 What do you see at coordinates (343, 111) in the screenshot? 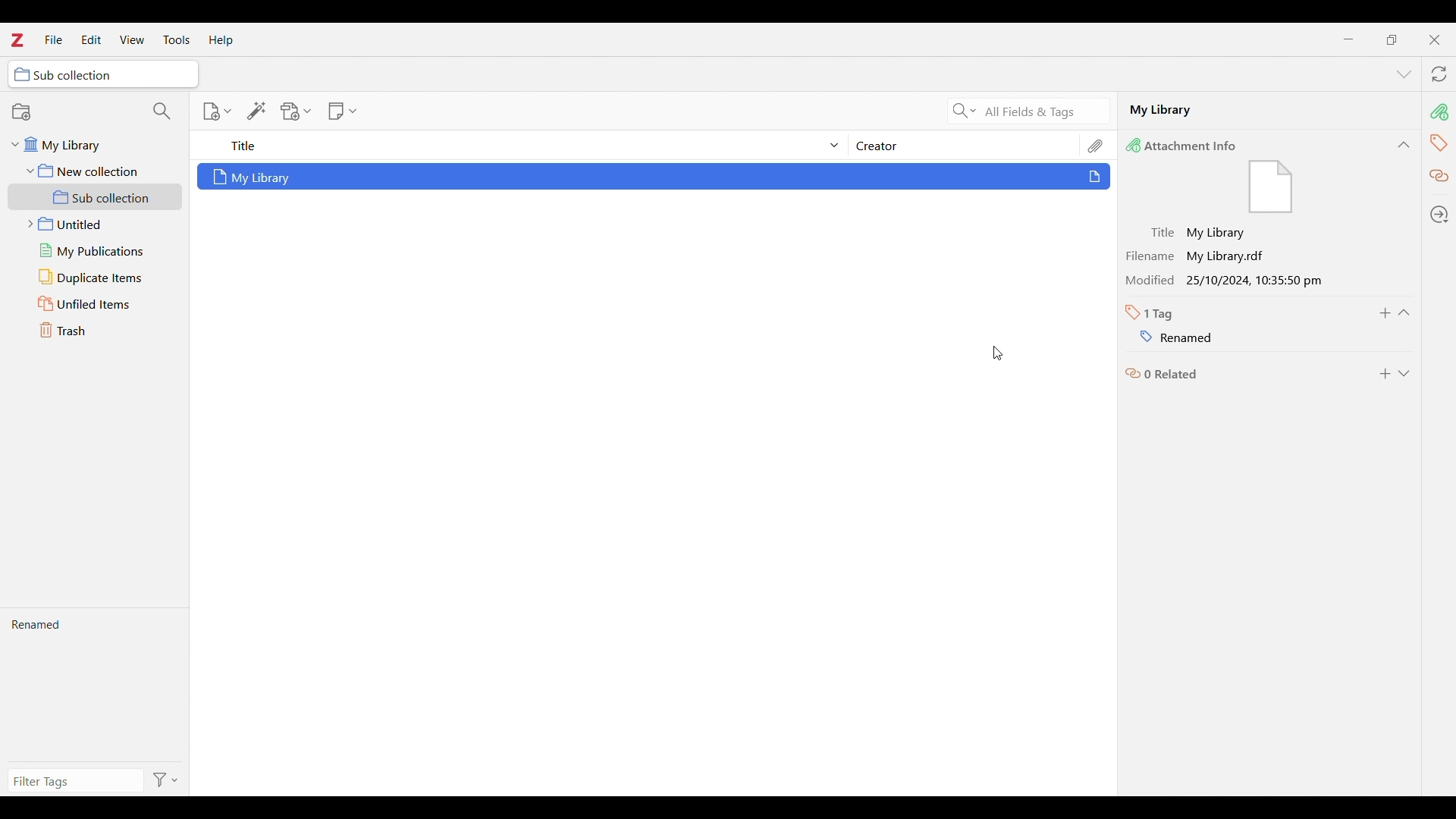
I see `New note options` at bounding box center [343, 111].